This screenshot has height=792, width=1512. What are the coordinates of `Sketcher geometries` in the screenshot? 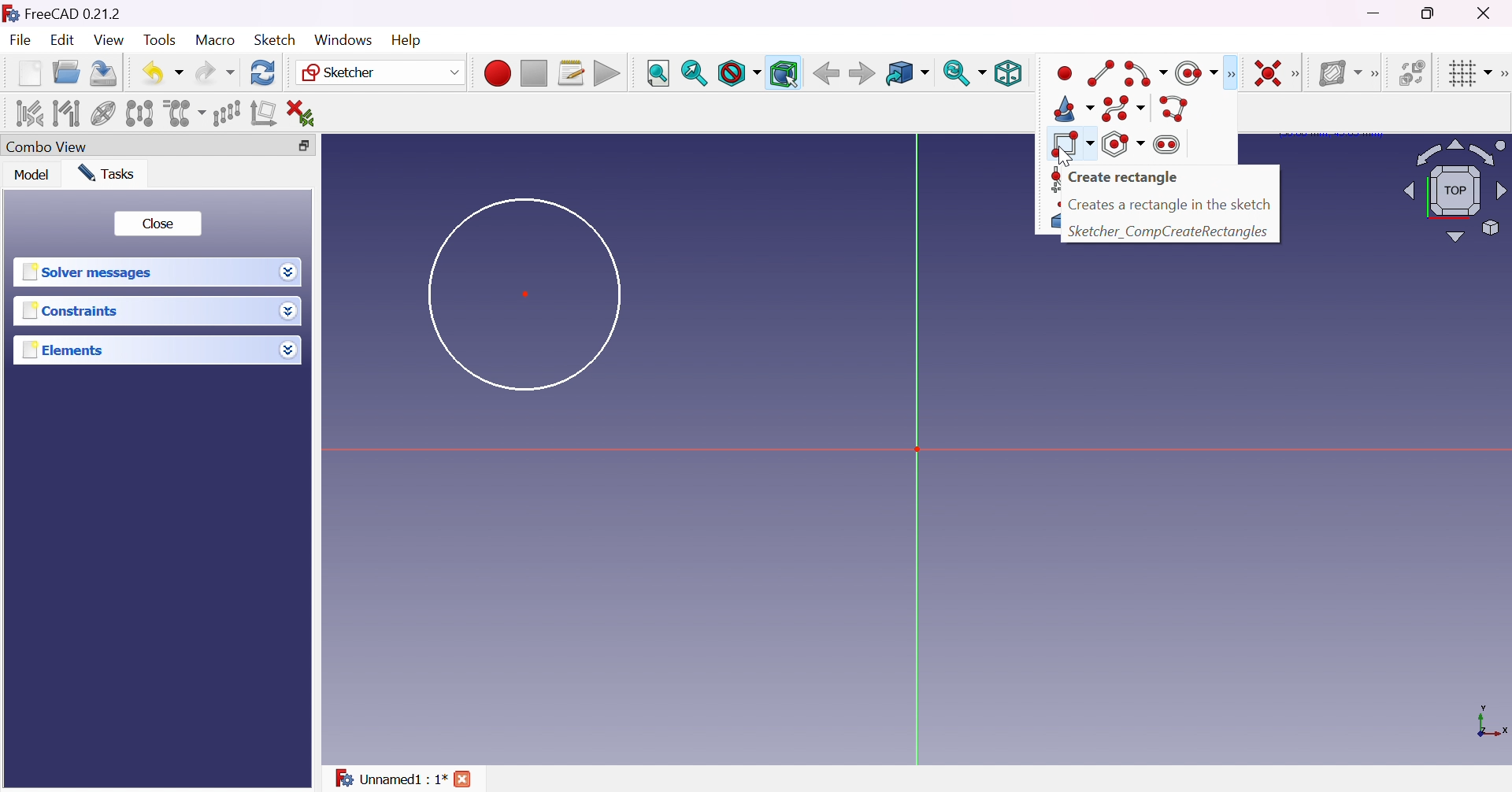 It's located at (1230, 75).